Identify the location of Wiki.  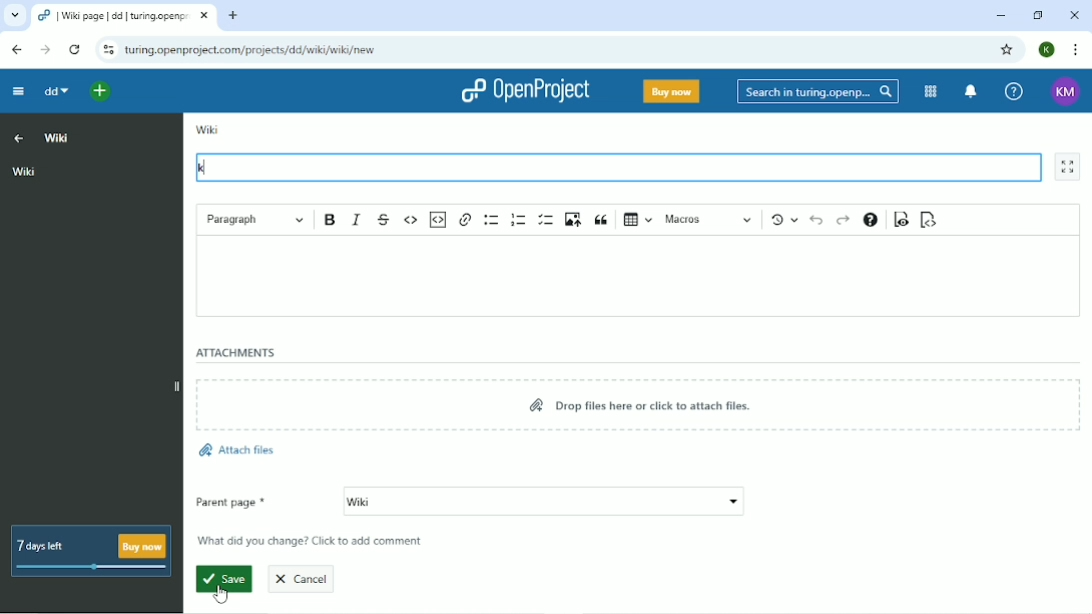
(57, 136).